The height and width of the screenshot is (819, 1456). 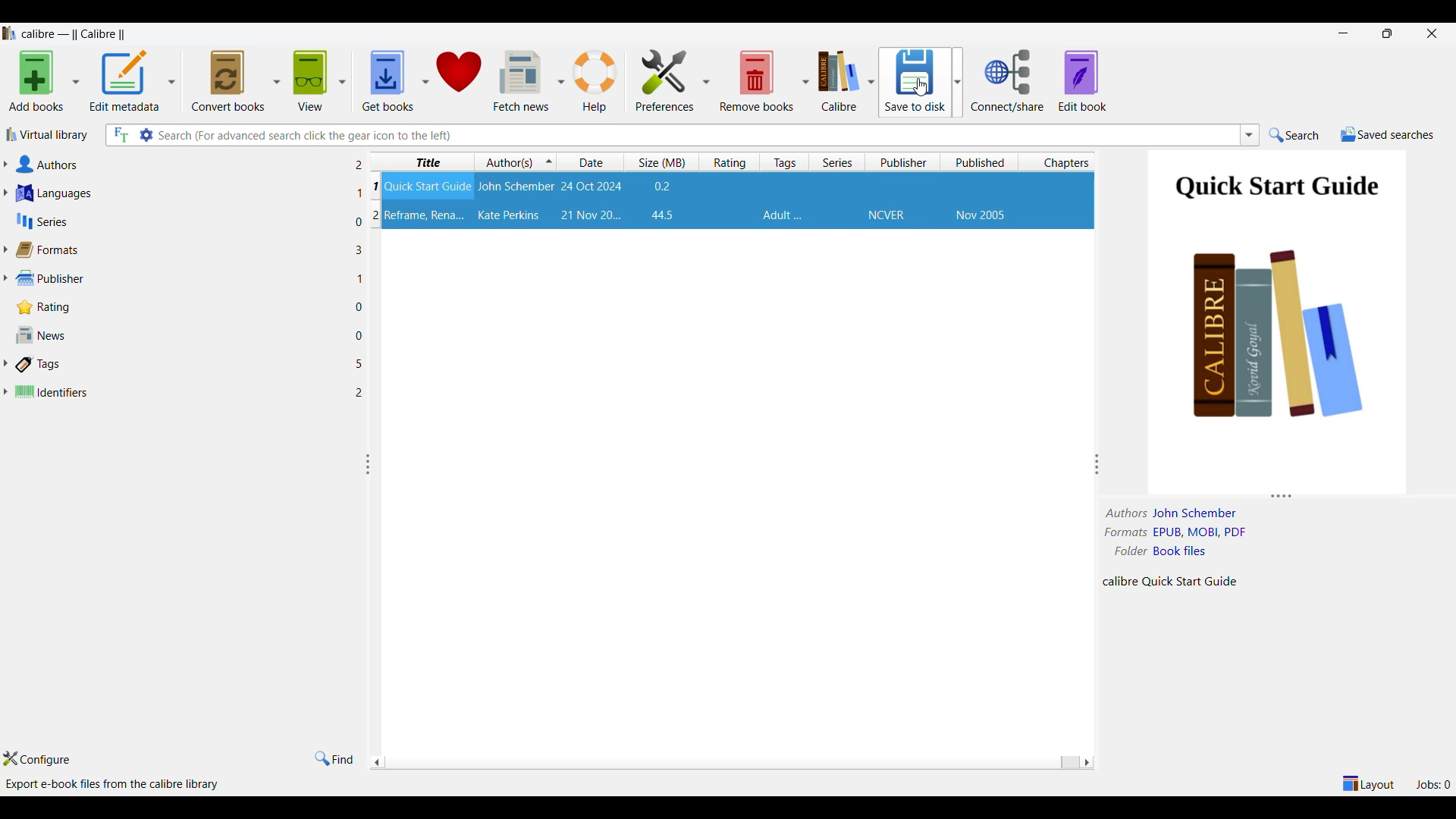 What do you see at coordinates (359, 365) in the screenshot?
I see `5` at bounding box center [359, 365].